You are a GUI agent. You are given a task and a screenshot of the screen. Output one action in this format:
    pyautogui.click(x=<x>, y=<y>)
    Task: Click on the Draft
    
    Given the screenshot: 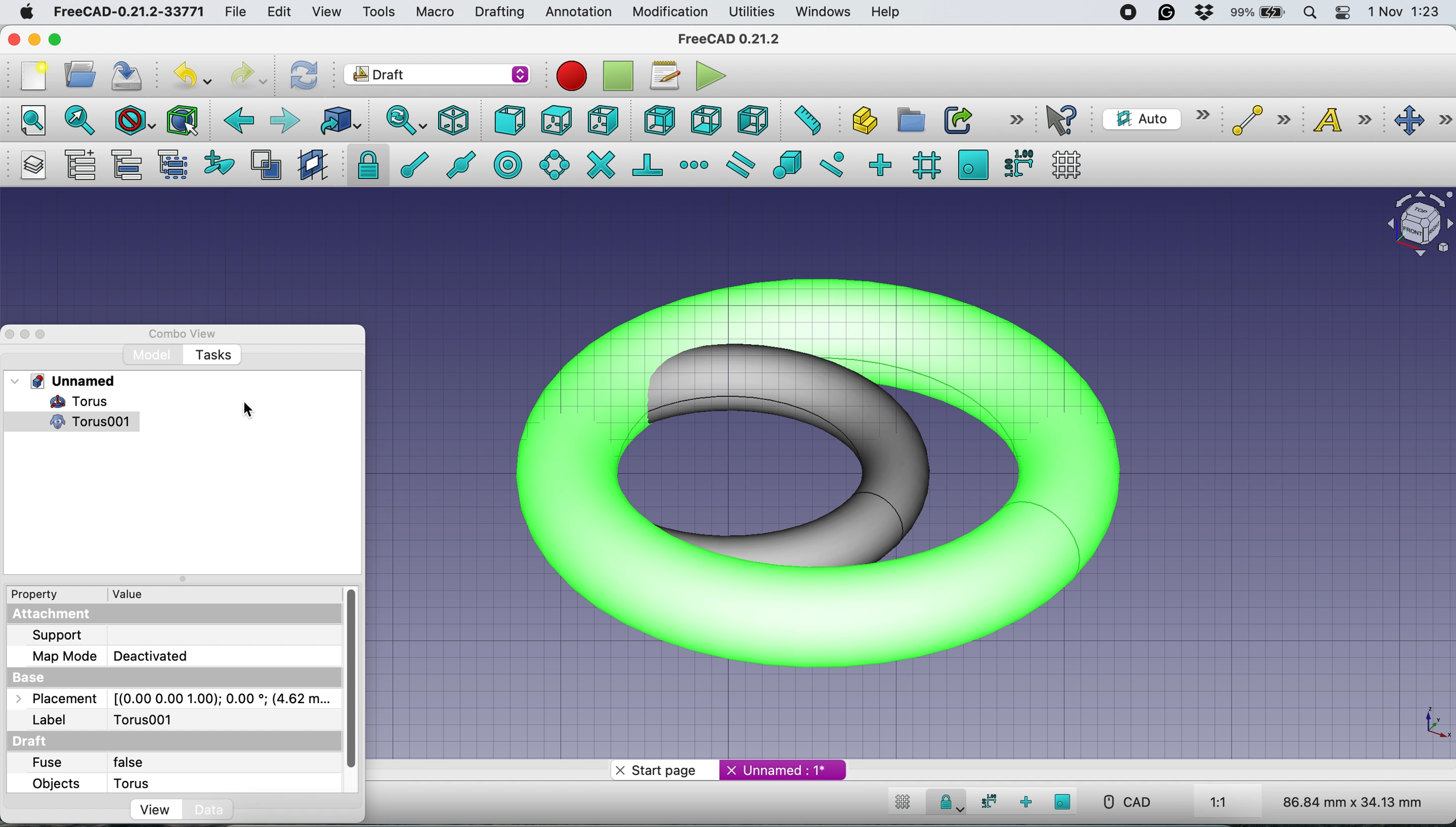 What is the action you would take?
    pyautogui.click(x=32, y=741)
    